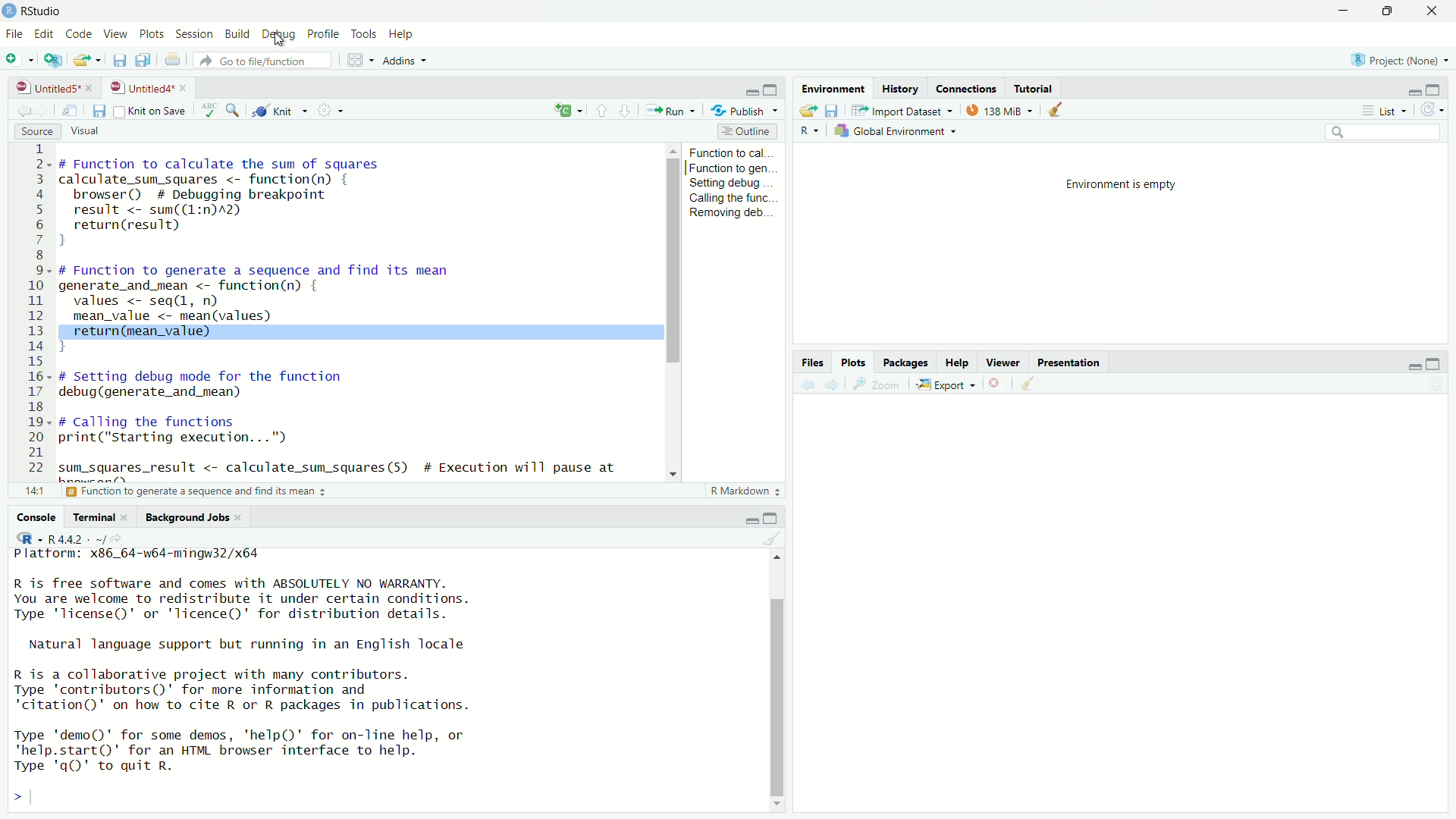  I want to click on c+, so click(567, 111).